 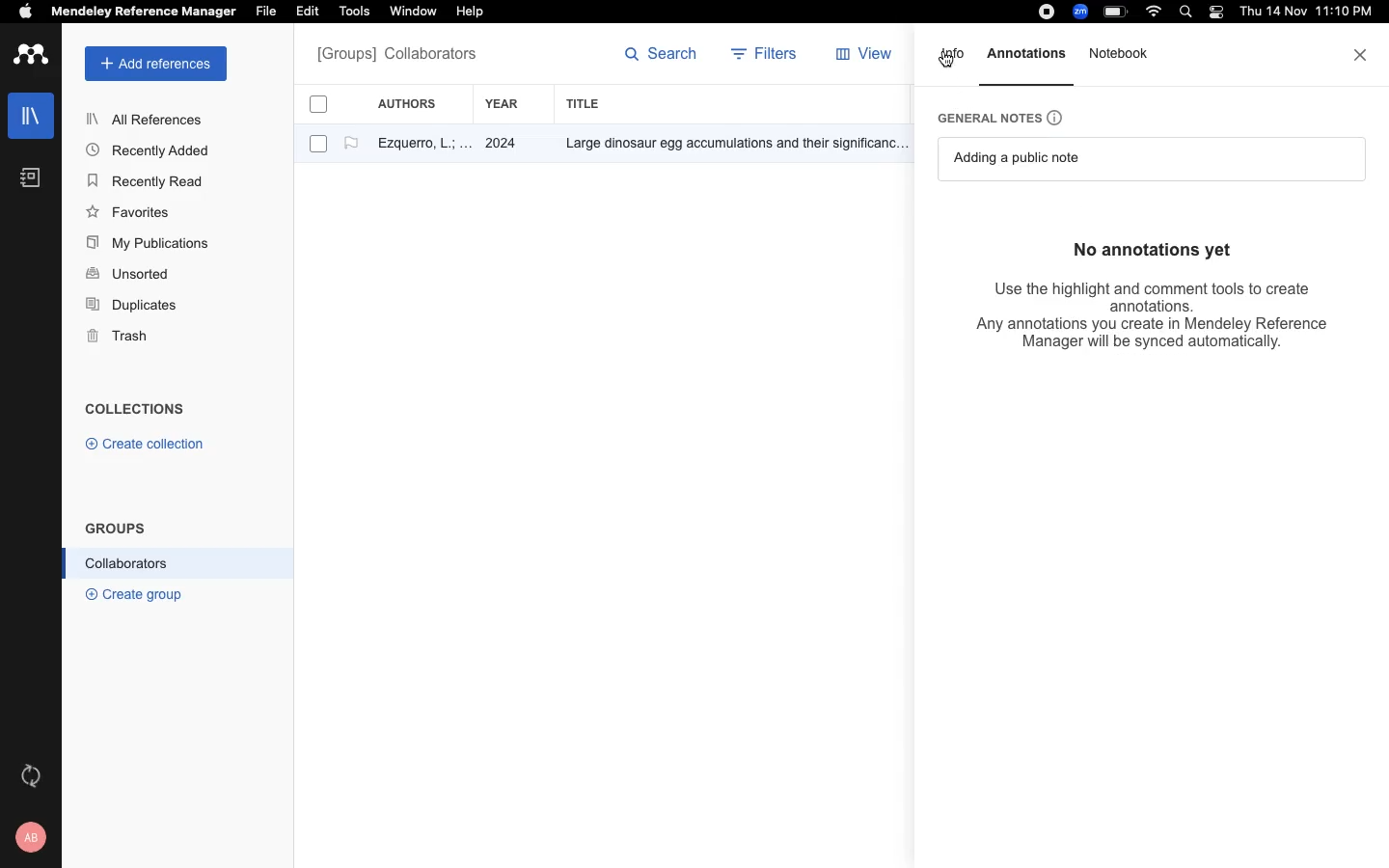 I want to click on COLLECTIONS, so click(x=135, y=411).